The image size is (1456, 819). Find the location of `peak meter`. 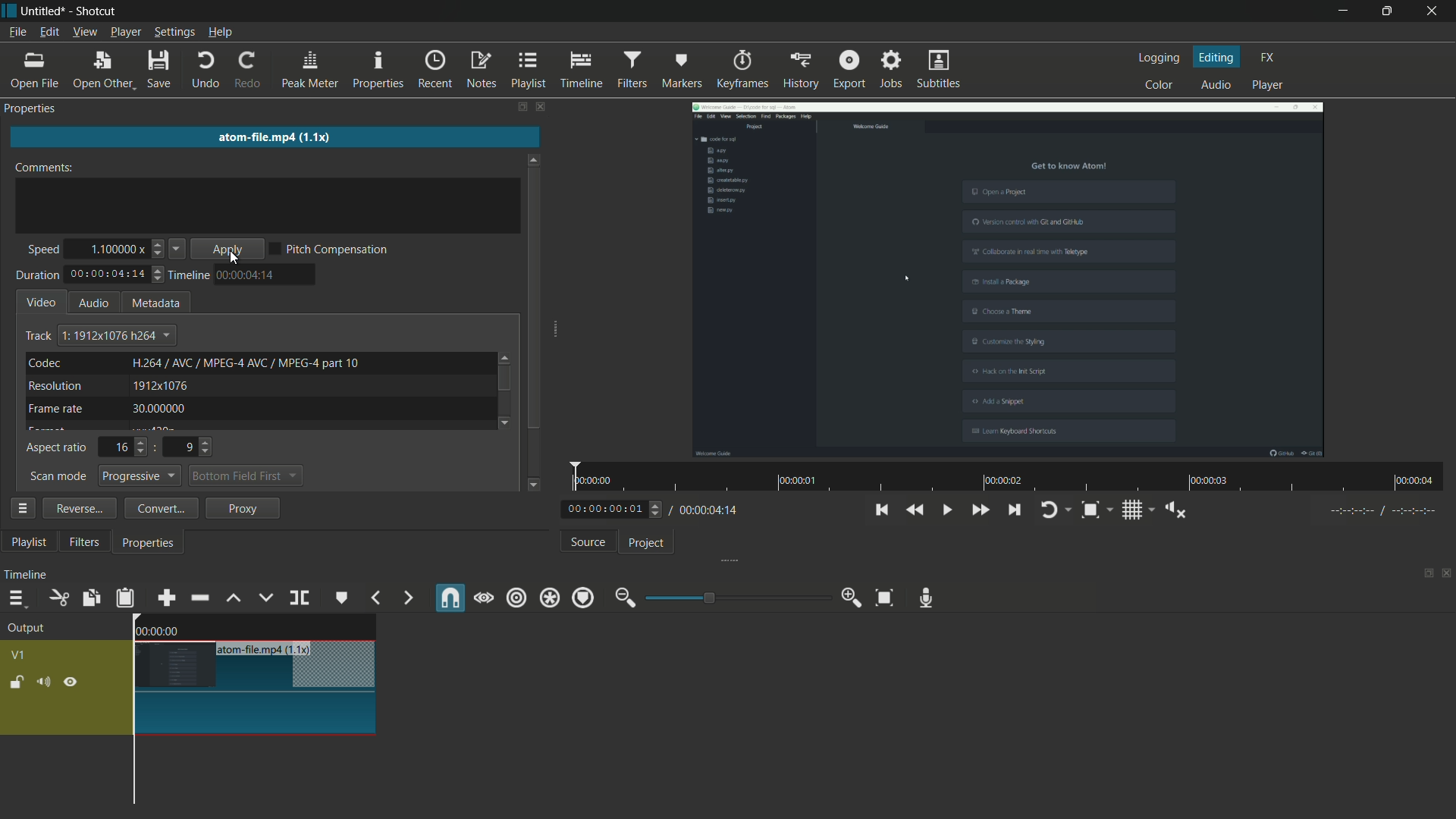

peak meter is located at coordinates (309, 69).